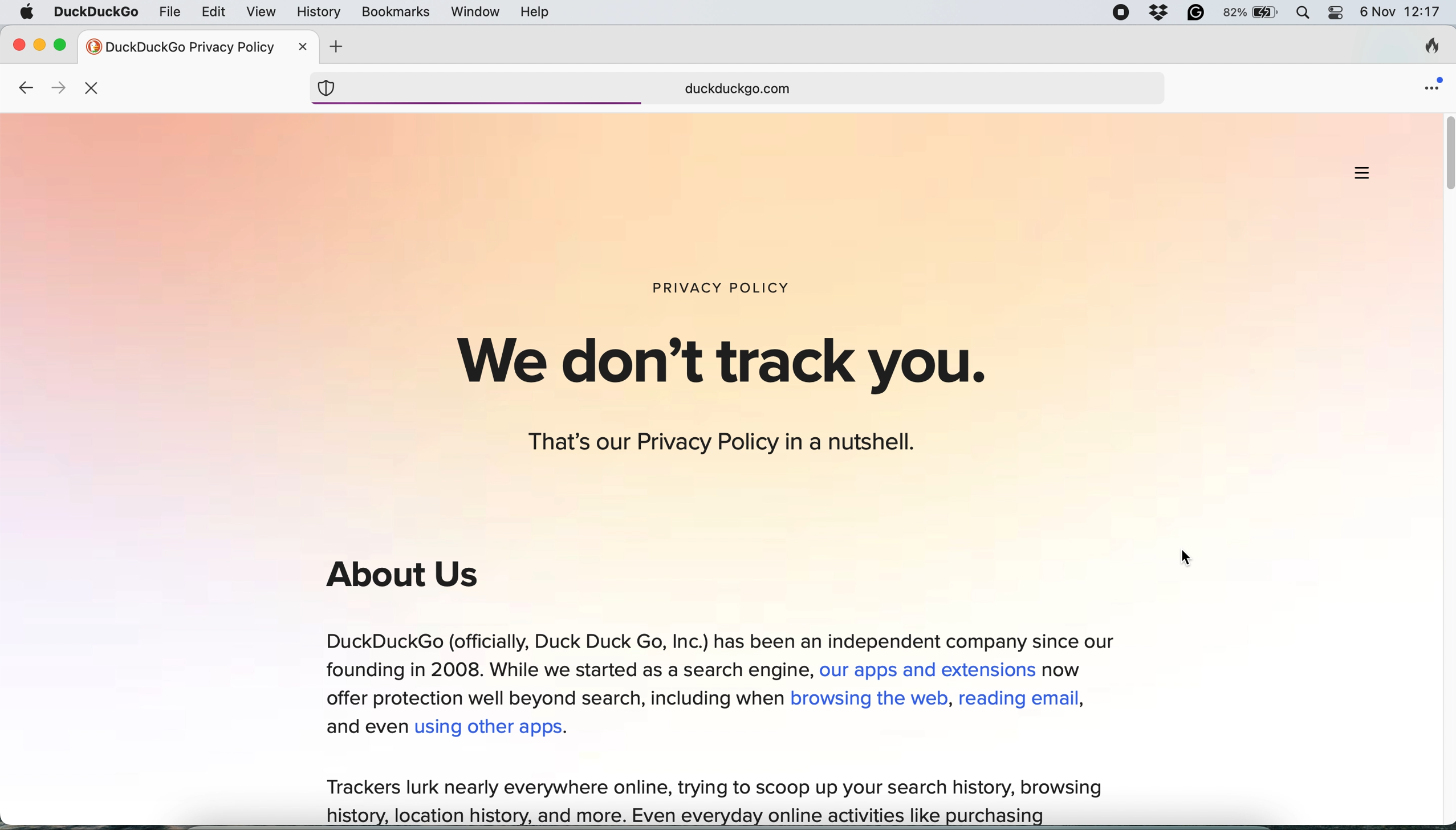 The image size is (1456, 830). Describe the element at coordinates (1160, 14) in the screenshot. I see `dropbox` at that location.